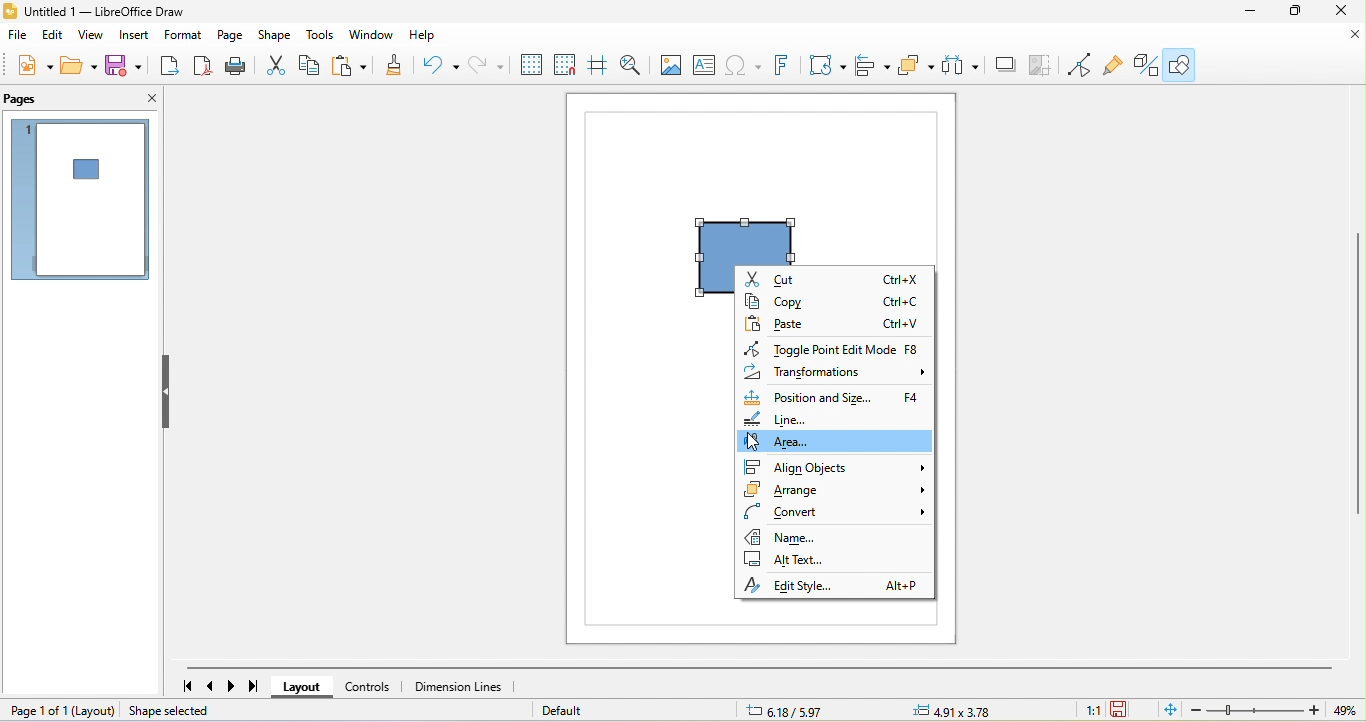  Describe the element at coordinates (89, 37) in the screenshot. I see `view` at that location.